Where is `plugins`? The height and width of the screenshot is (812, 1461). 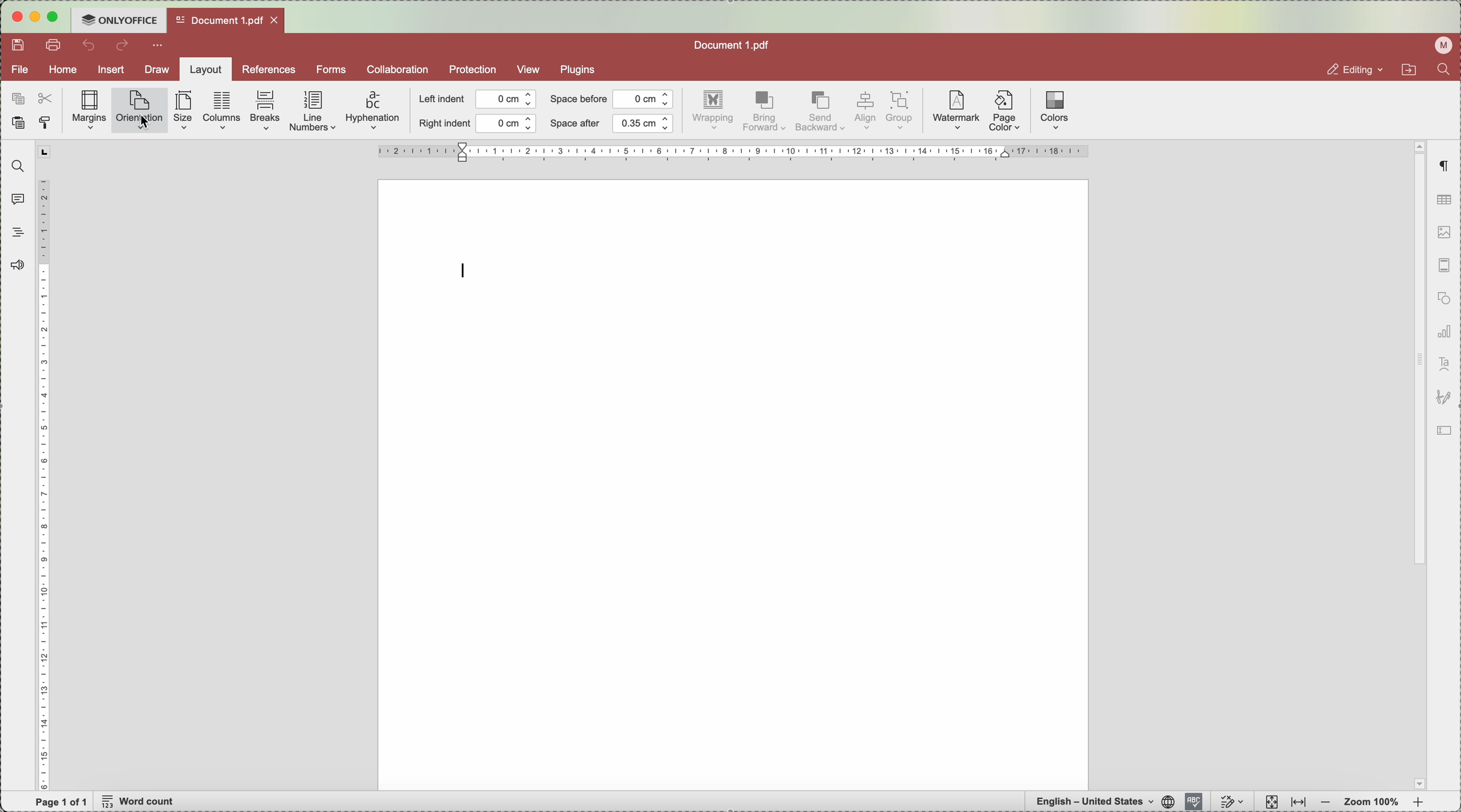
plugins is located at coordinates (581, 69).